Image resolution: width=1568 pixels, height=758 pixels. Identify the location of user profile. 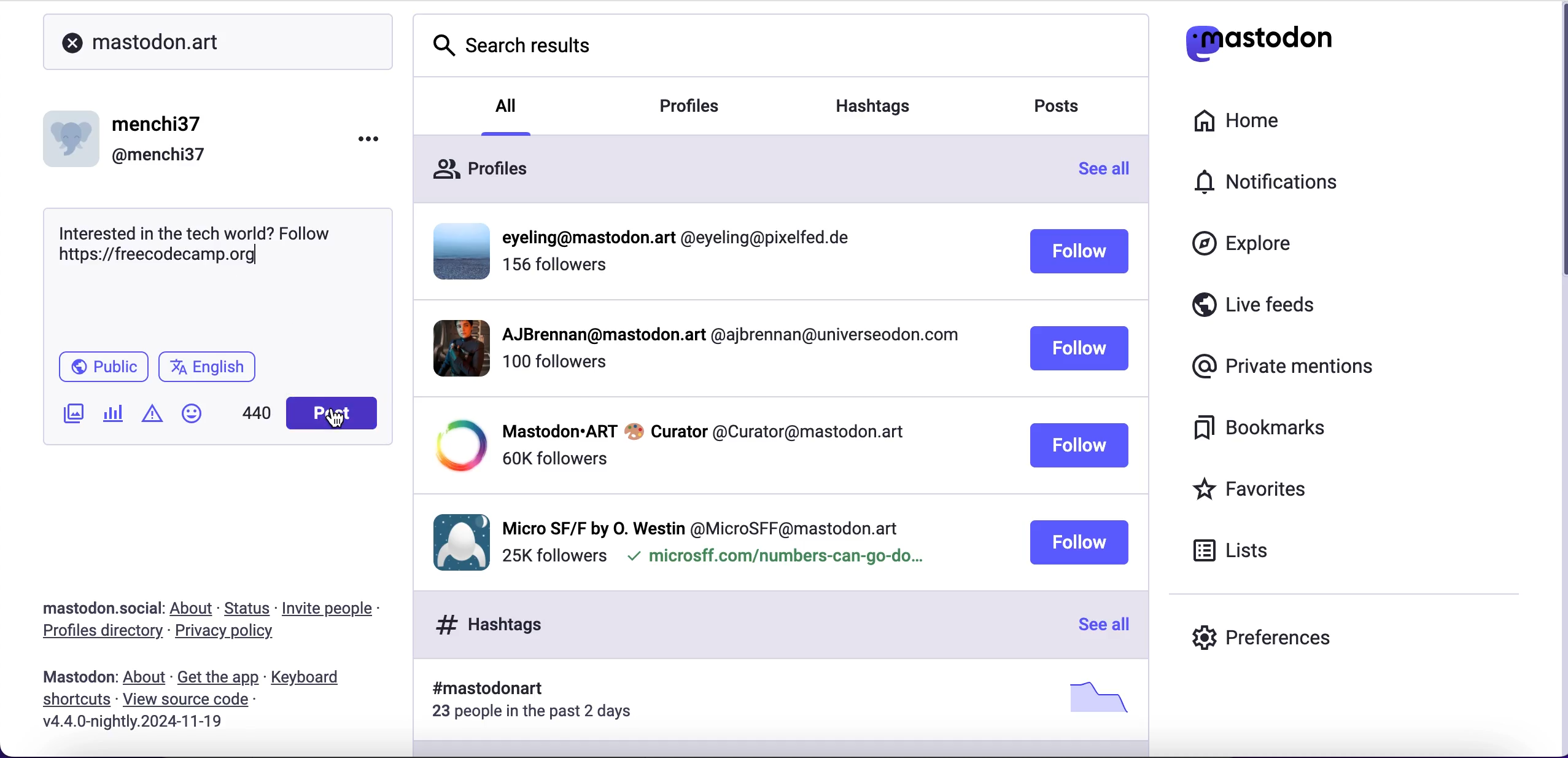
(725, 256).